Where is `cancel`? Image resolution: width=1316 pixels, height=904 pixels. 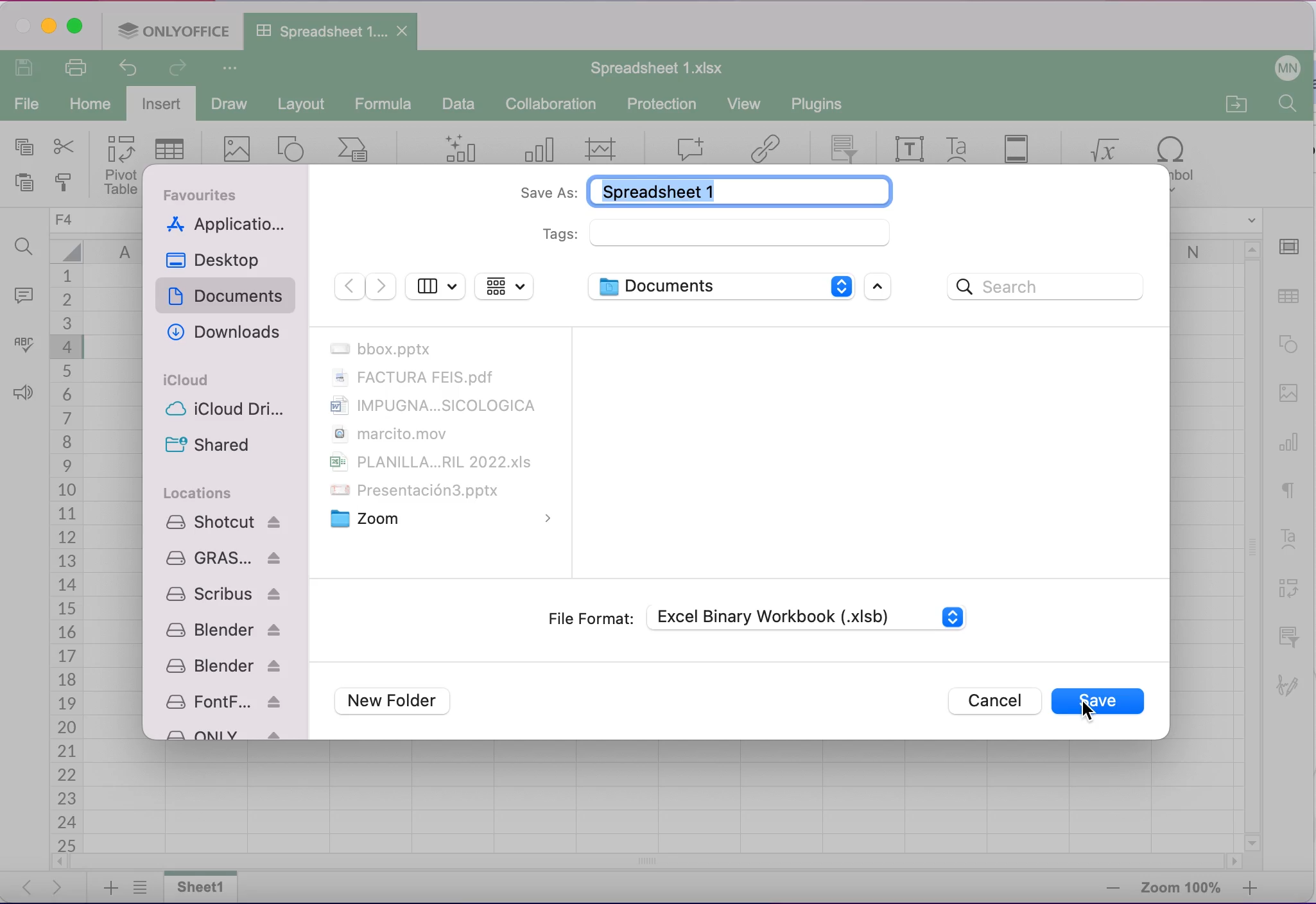 cancel is located at coordinates (991, 701).